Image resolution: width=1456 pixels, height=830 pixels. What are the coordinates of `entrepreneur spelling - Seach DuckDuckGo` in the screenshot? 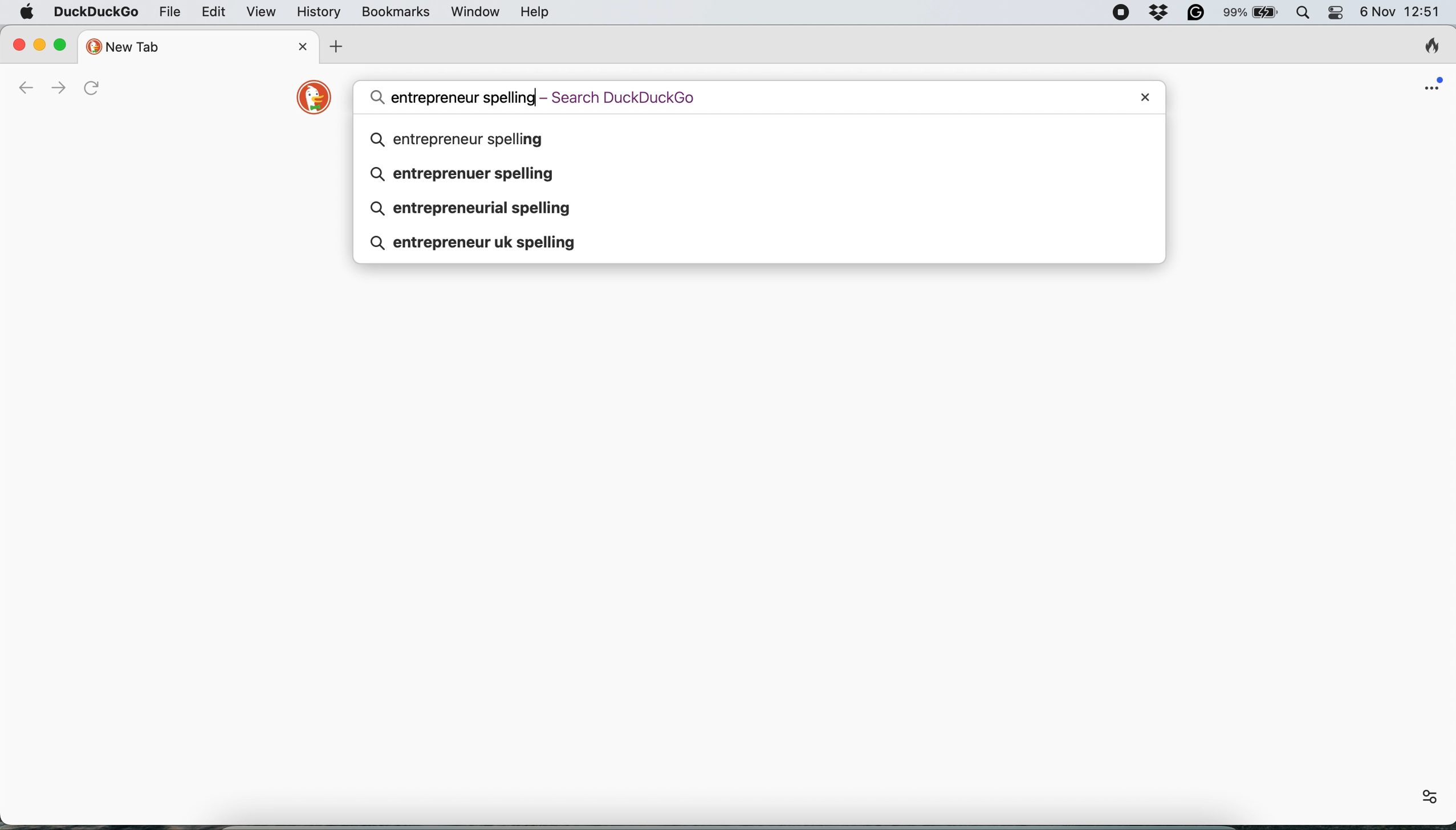 It's located at (532, 97).